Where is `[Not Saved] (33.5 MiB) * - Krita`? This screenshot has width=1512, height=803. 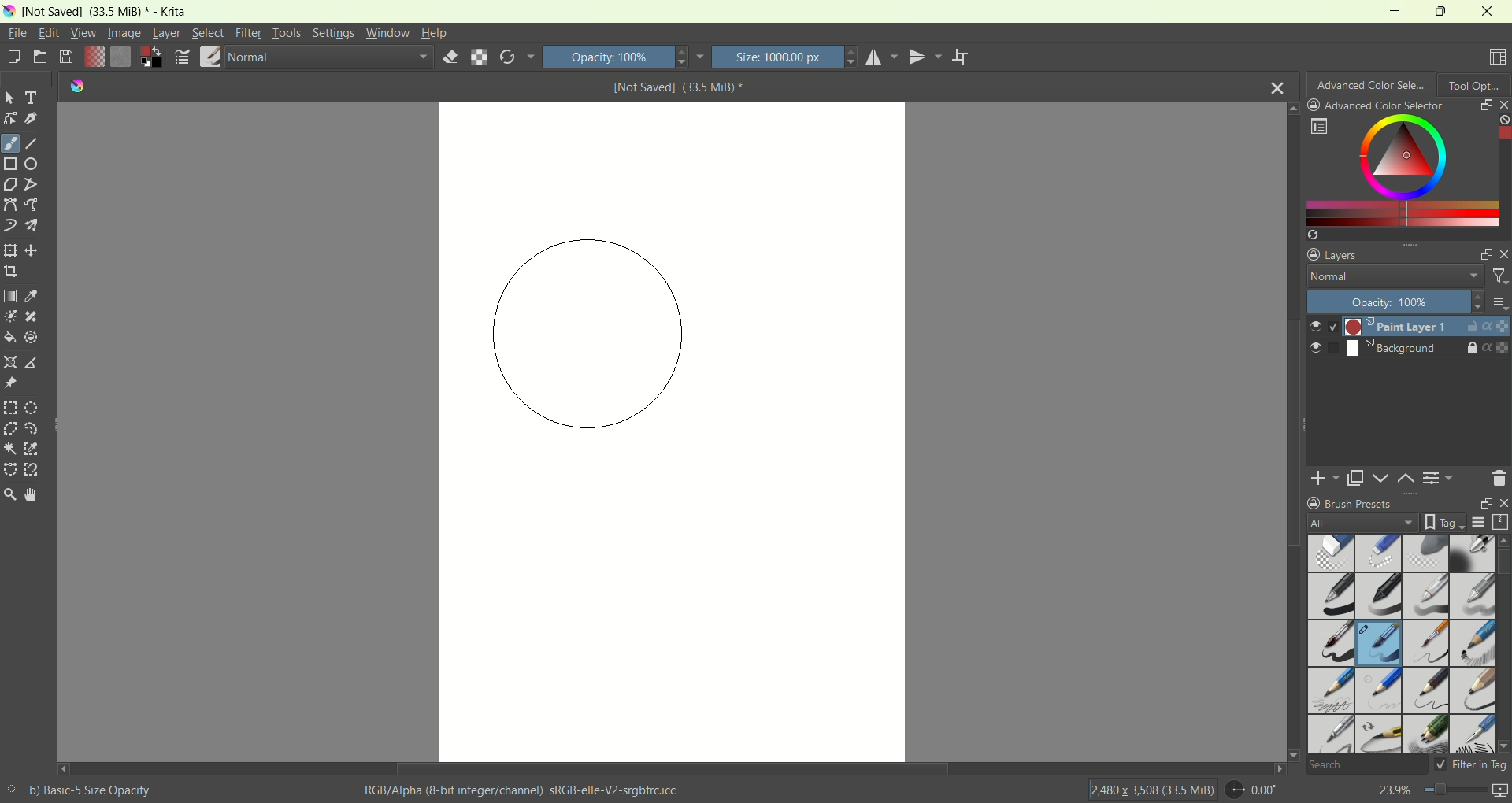
[Not Saved] (33.5 MiB) * - Krita is located at coordinates (106, 13).